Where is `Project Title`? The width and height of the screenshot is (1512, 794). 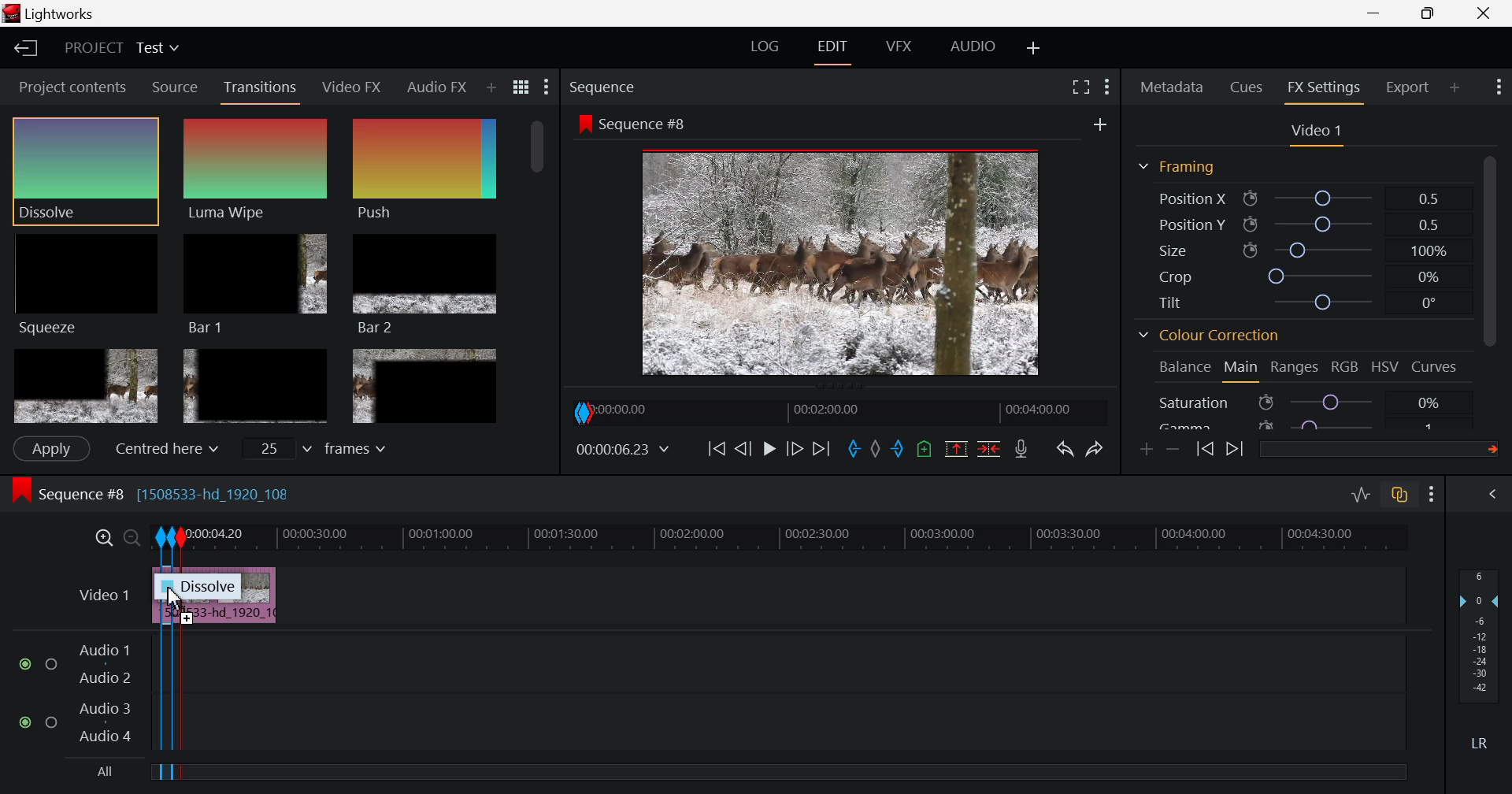
Project Title is located at coordinates (121, 50).